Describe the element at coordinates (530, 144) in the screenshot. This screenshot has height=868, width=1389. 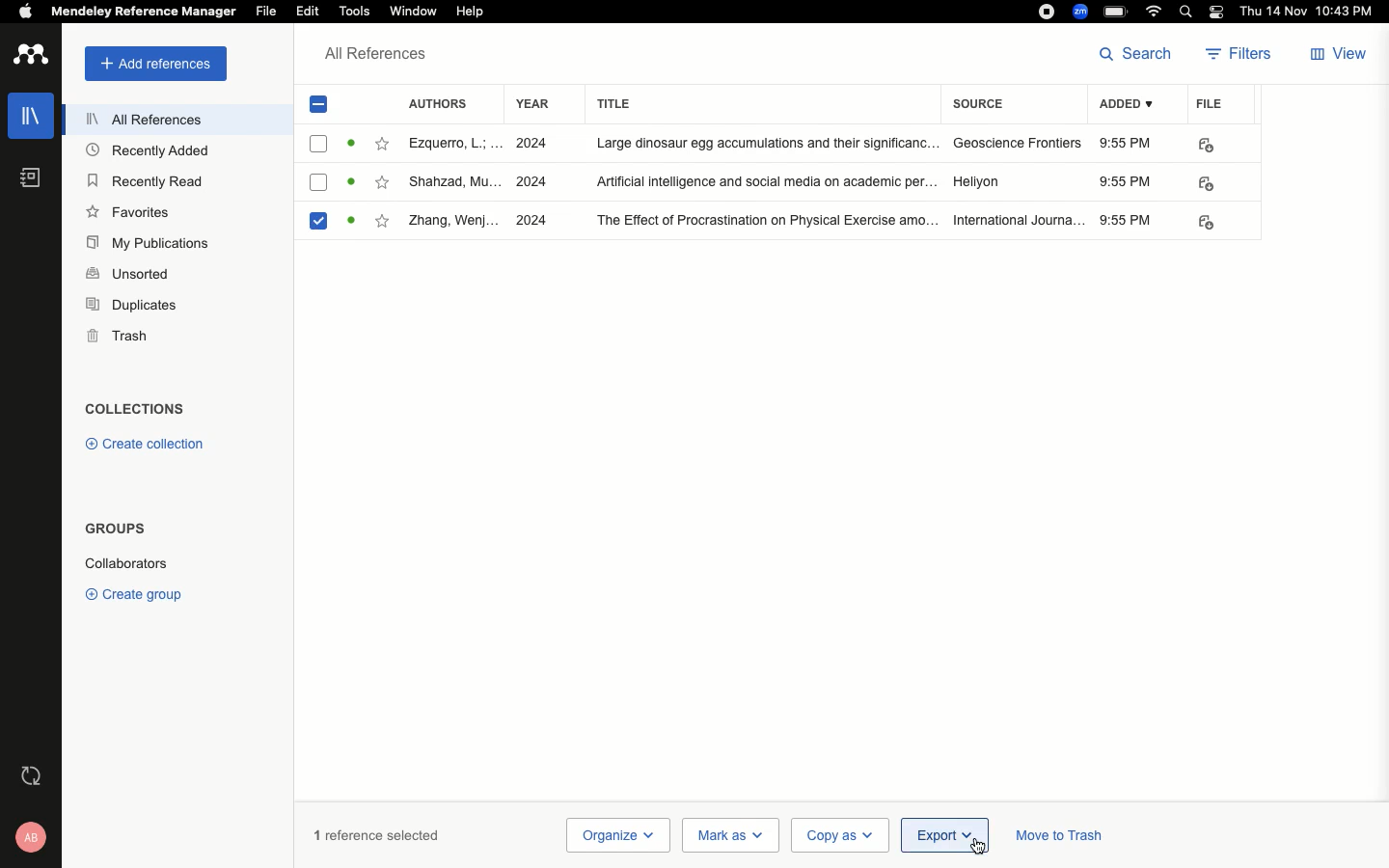
I see `2024` at that location.